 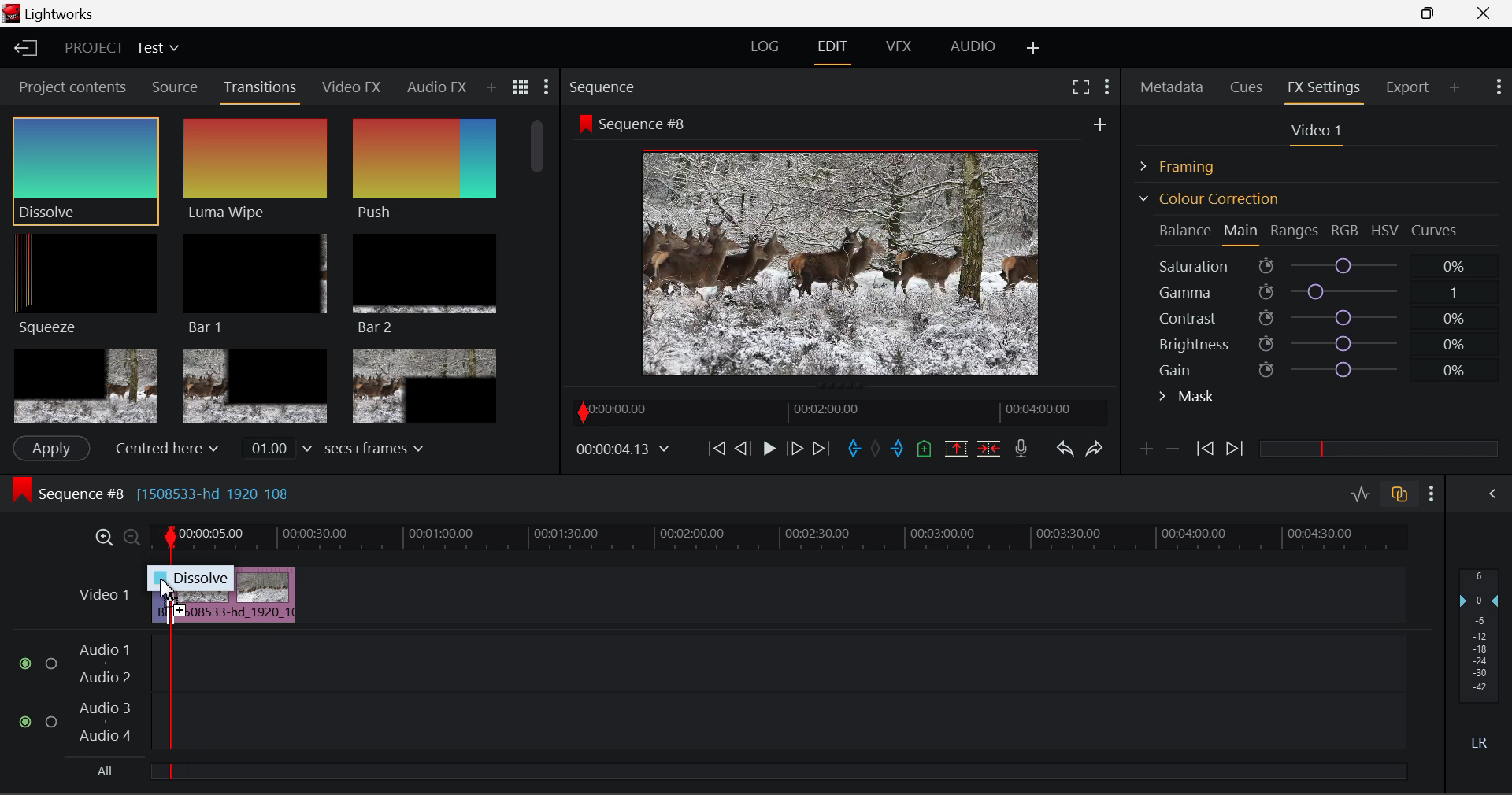 I want to click on Show Settings, so click(x=1106, y=84).